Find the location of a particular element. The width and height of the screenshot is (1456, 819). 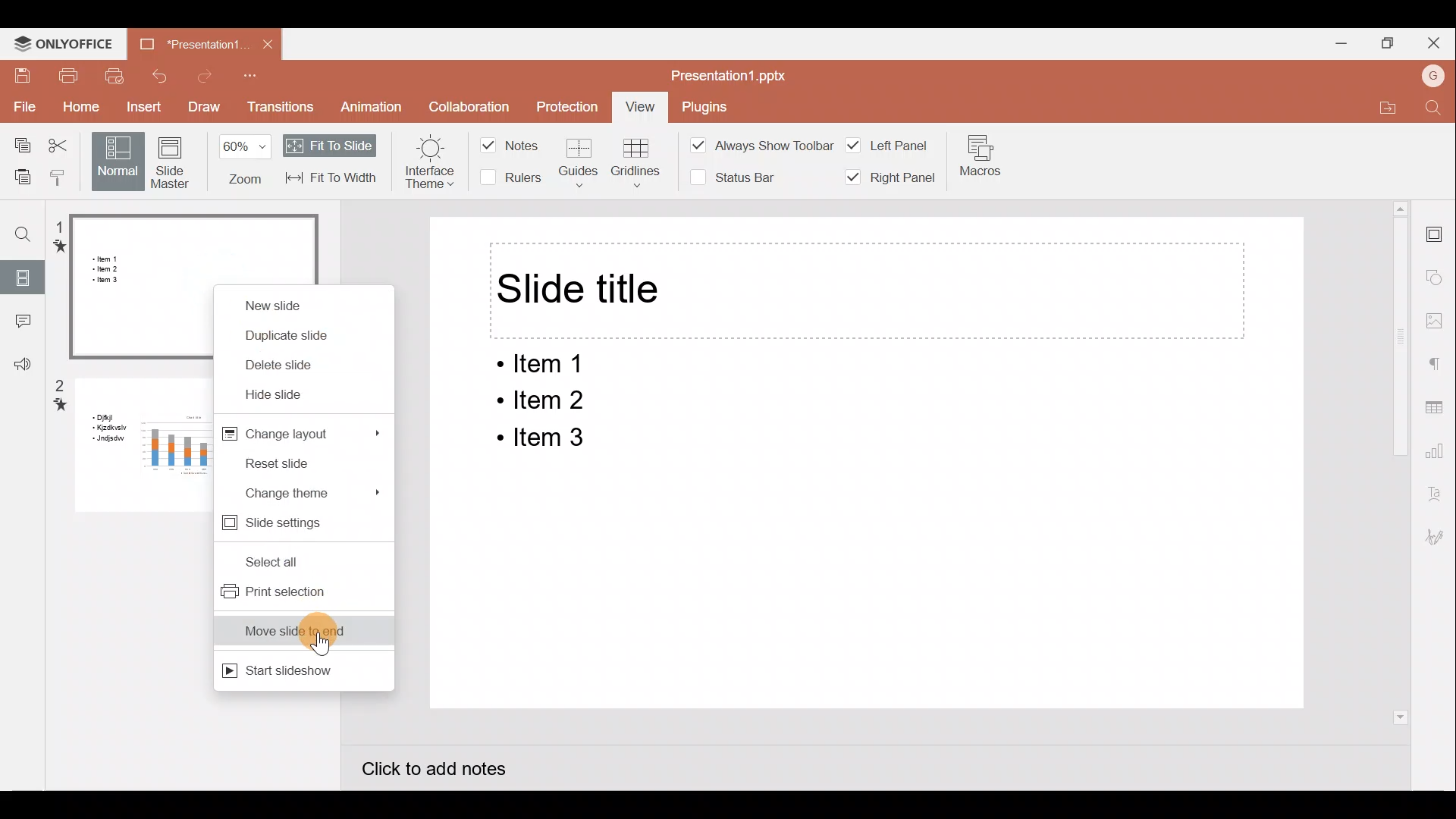

Zoom is located at coordinates (240, 160).